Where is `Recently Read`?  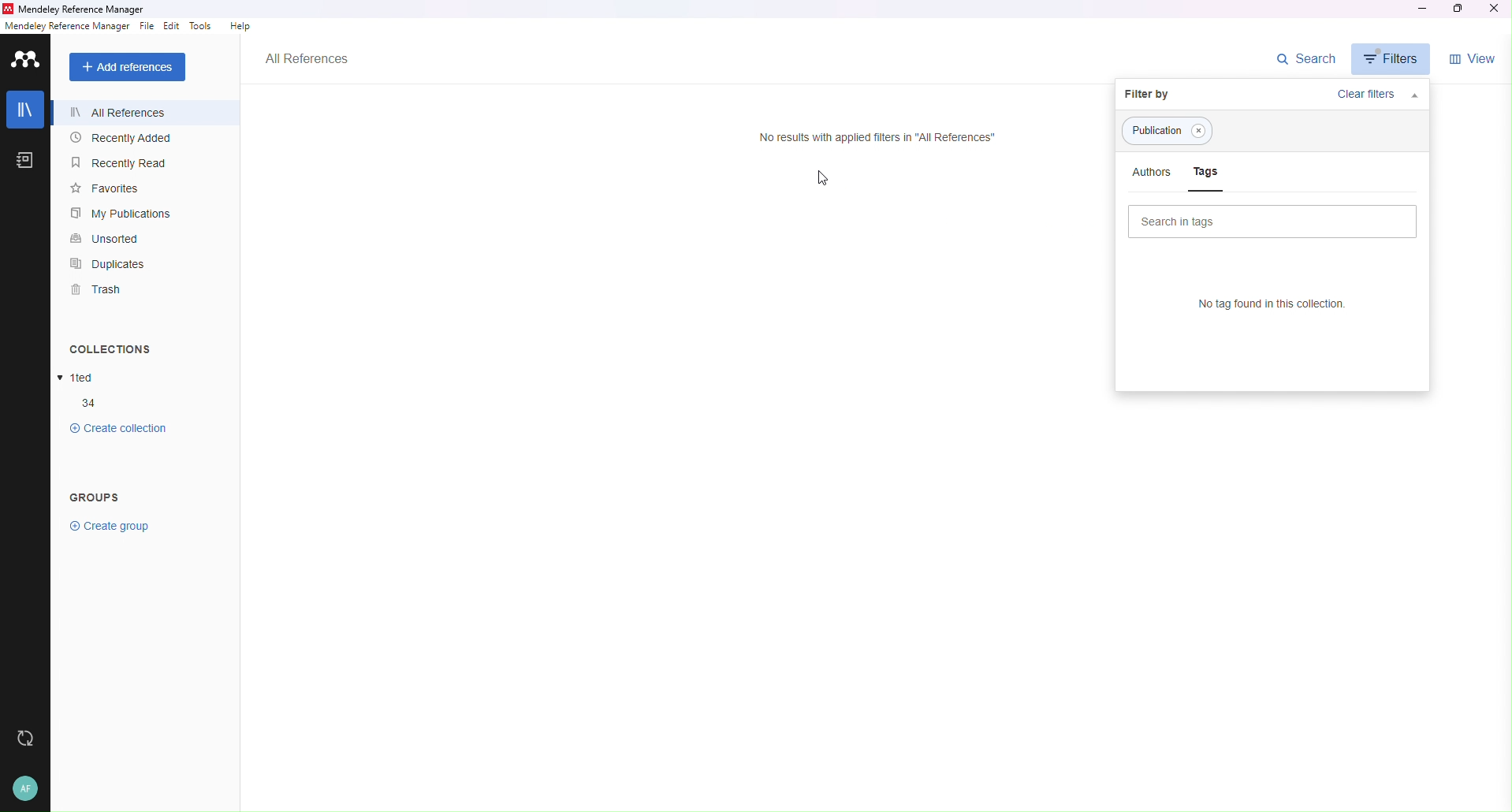 Recently Read is located at coordinates (123, 164).